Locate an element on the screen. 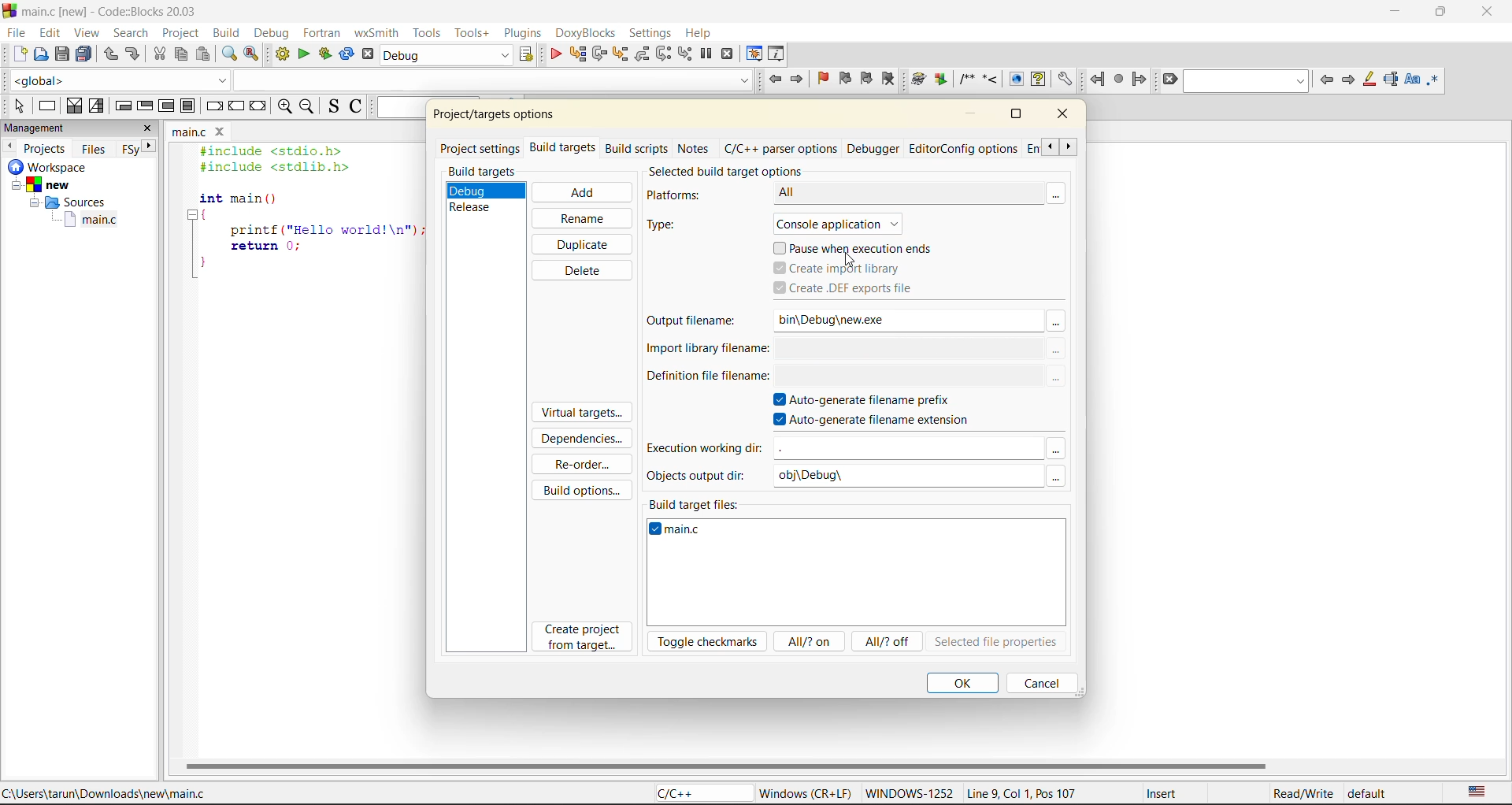 The height and width of the screenshot is (805, 1512). minimize is located at coordinates (1401, 13).